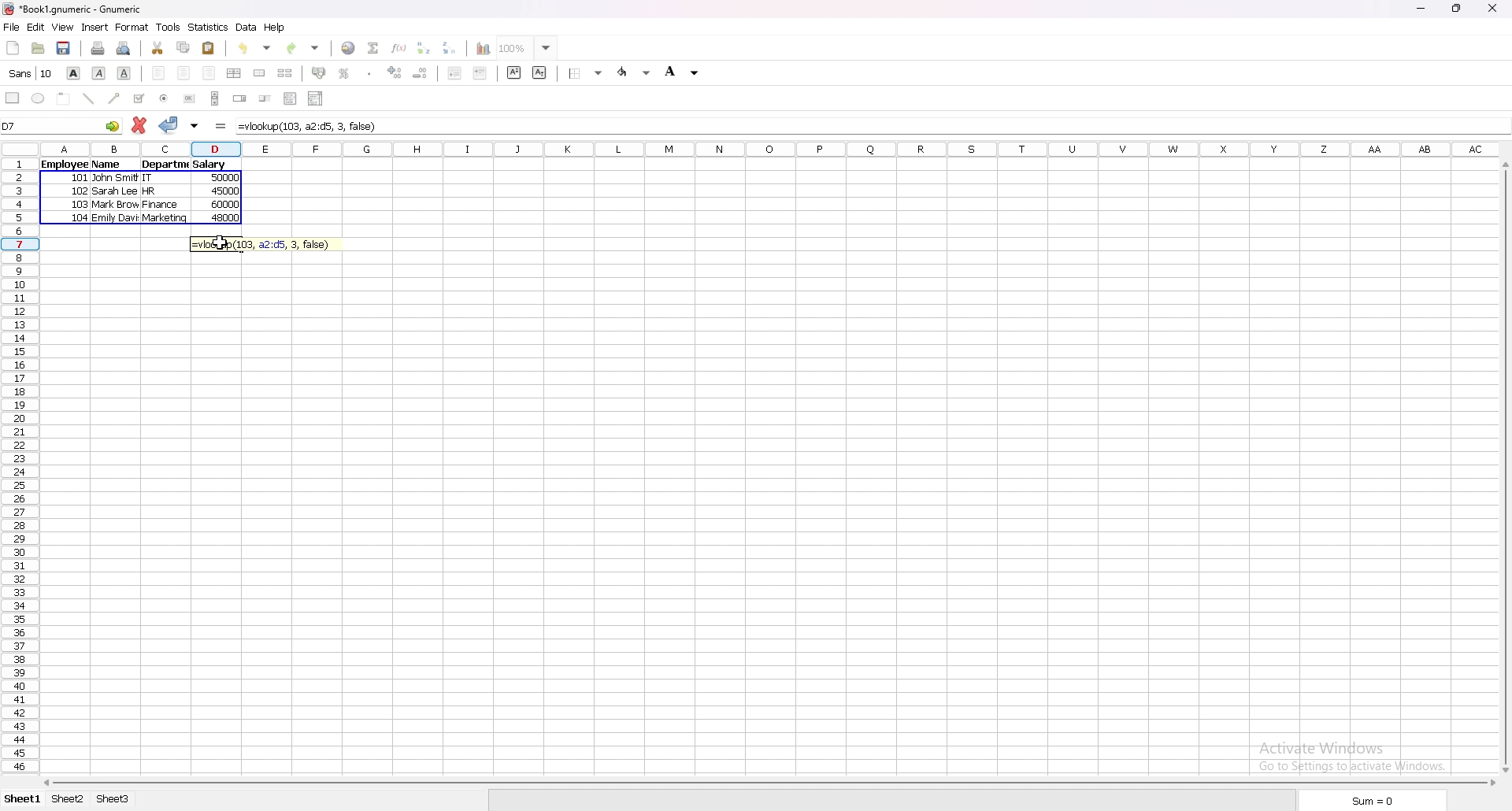  I want to click on minimize, so click(1422, 9).